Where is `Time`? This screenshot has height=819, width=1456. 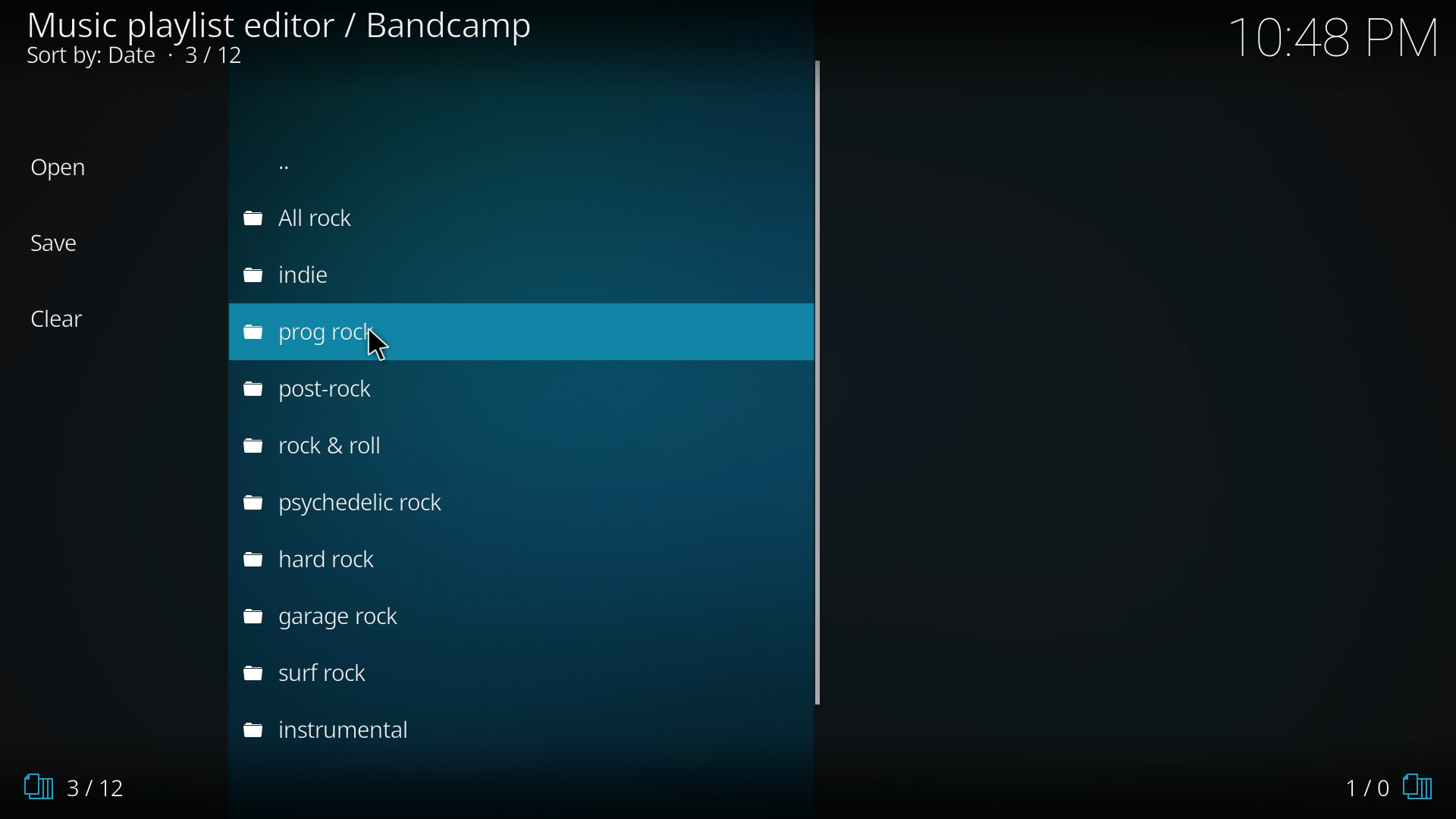 Time is located at coordinates (1338, 39).